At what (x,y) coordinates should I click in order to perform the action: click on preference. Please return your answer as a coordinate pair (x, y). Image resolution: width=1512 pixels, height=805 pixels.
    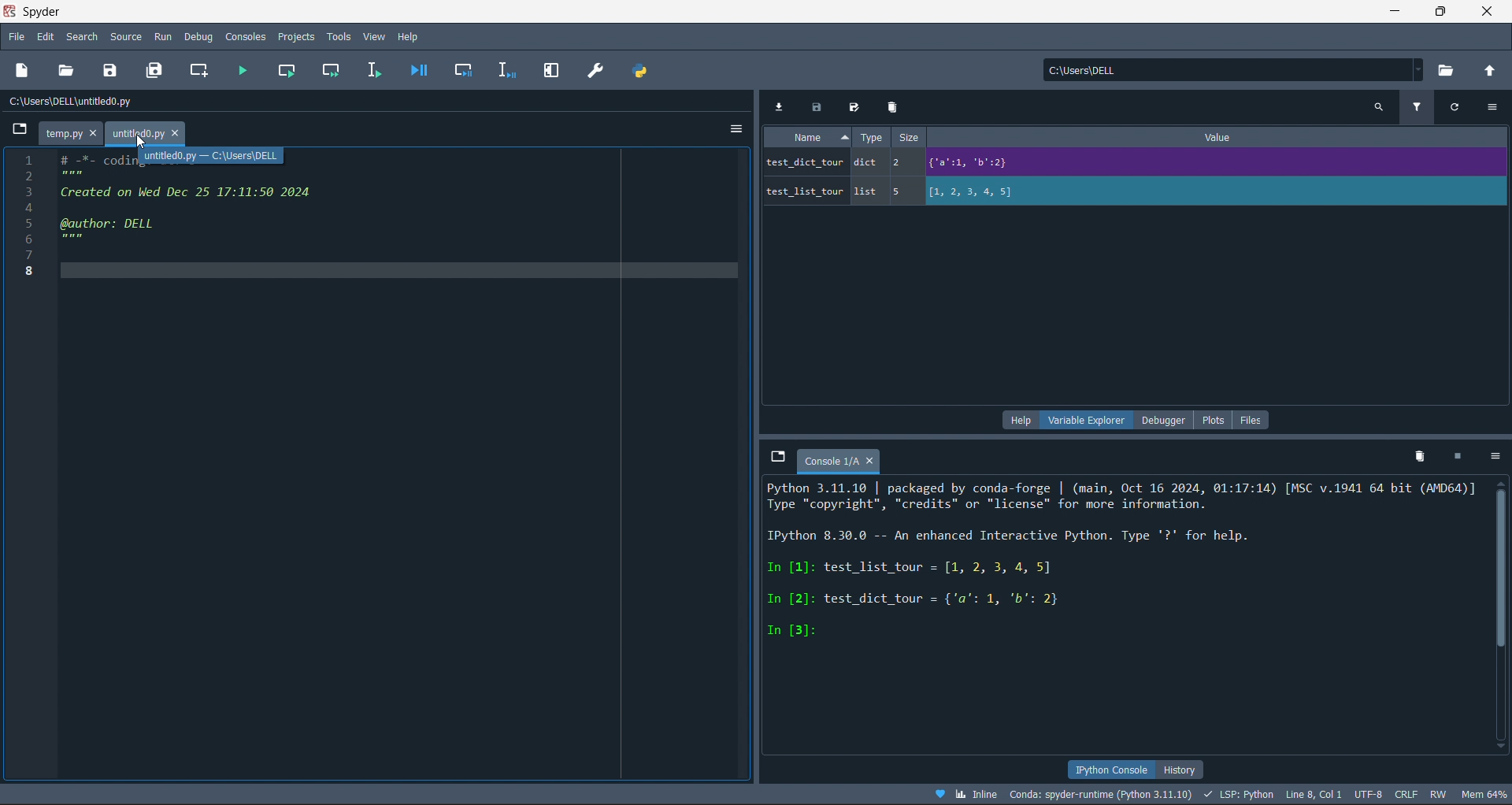
    Looking at the image, I should click on (603, 69).